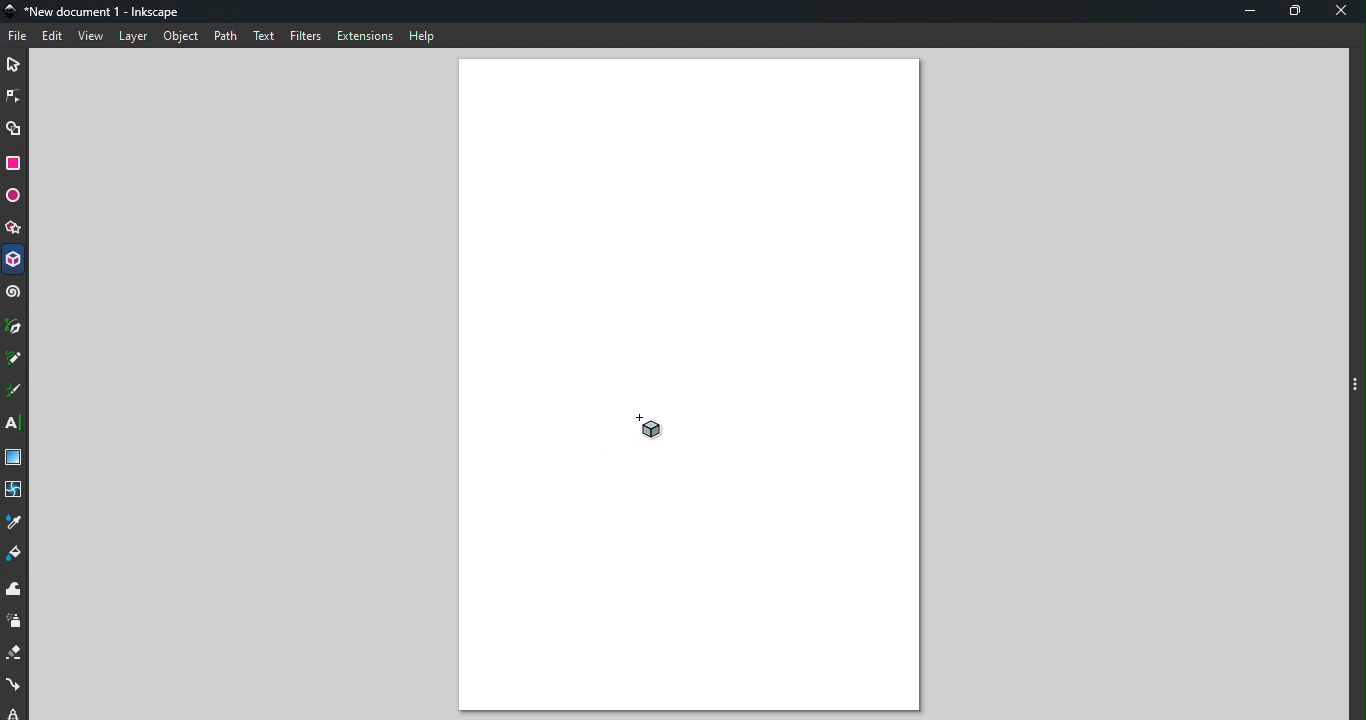 This screenshot has width=1366, height=720. What do you see at coordinates (13, 555) in the screenshot?
I see `Paint bucket tool` at bounding box center [13, 555].